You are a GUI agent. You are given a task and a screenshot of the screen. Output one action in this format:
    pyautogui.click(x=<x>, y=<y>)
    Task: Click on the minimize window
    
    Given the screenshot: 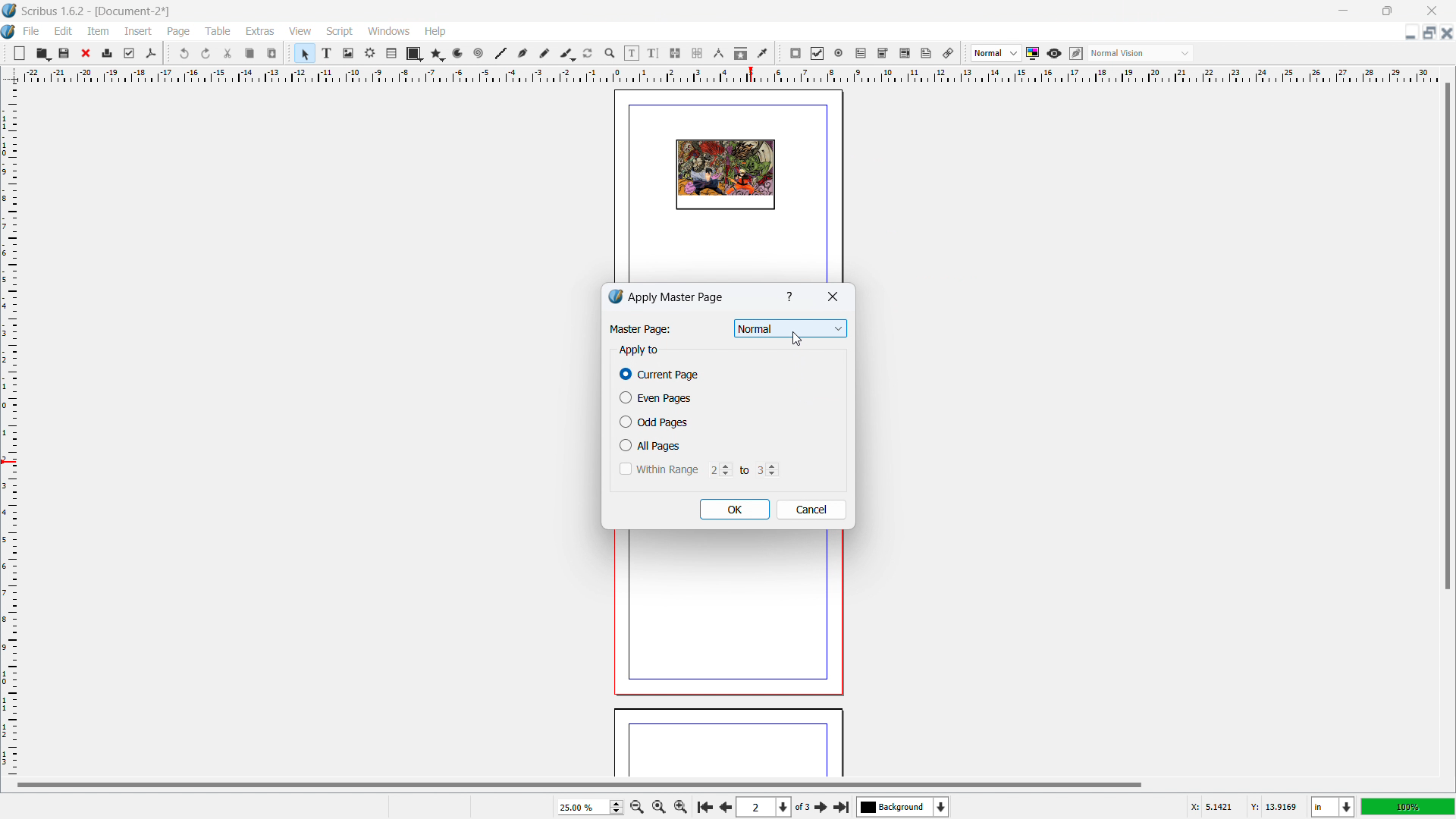 What is the action you would take?
    pyautogui.click(x=1341, y=11)
    